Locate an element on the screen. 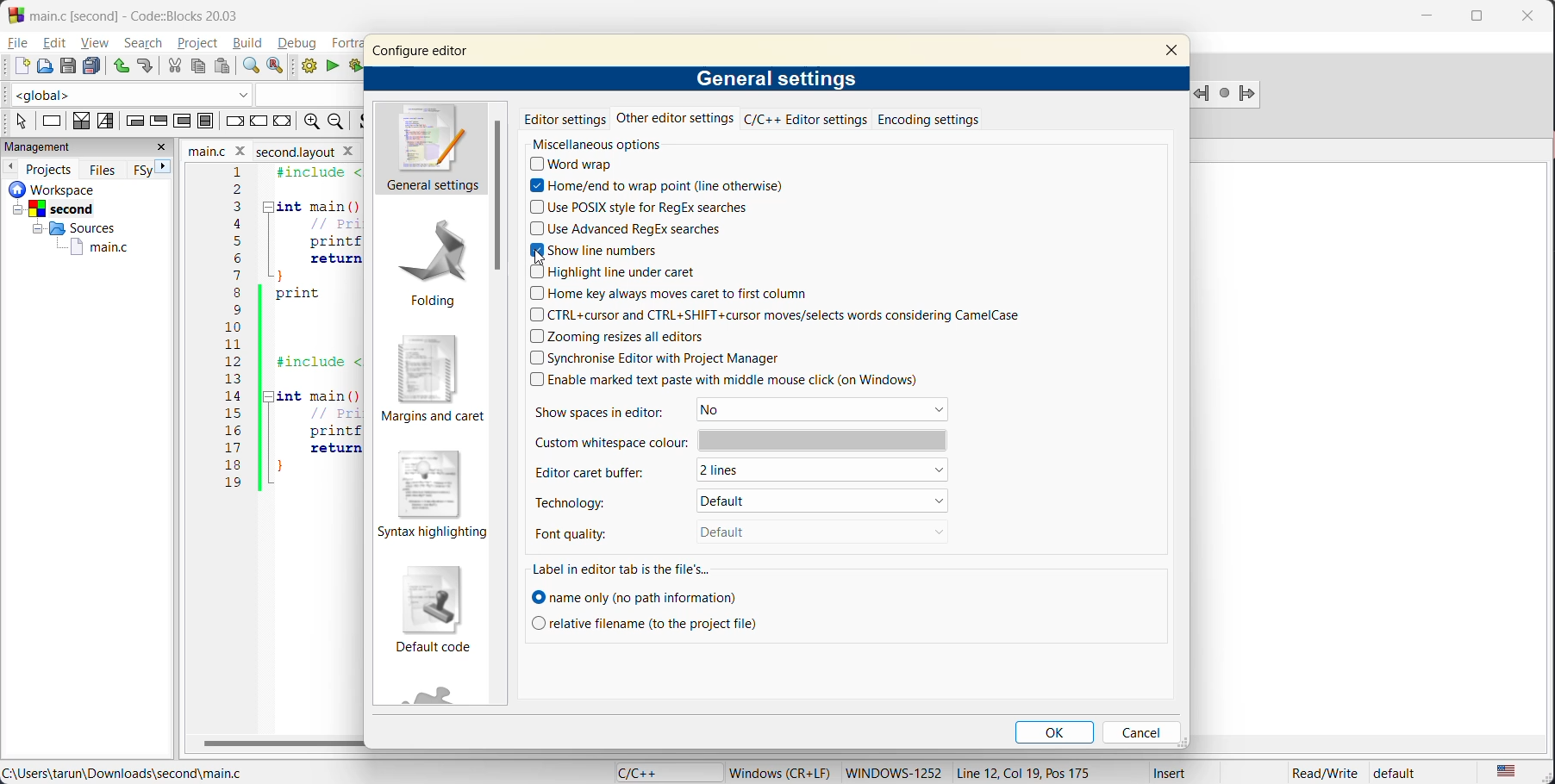 The width and height of the screenshot is (1555, 784). new is located at coordinates (16, 66).